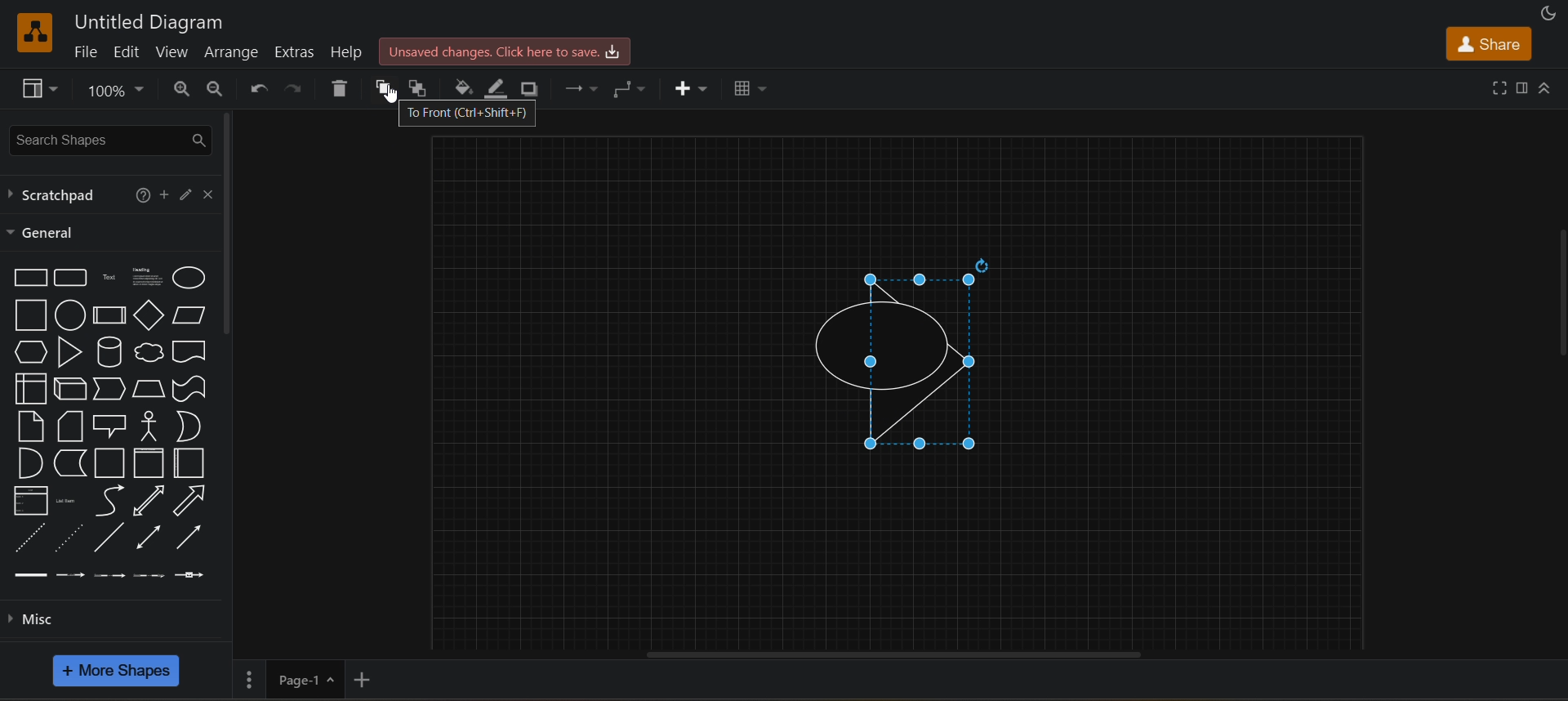 The height and width of the screenshot is (701, 1568). What do you see at coordinates (89, 52) in the screenshot?
I see `file` at bounding box center [89, 52].